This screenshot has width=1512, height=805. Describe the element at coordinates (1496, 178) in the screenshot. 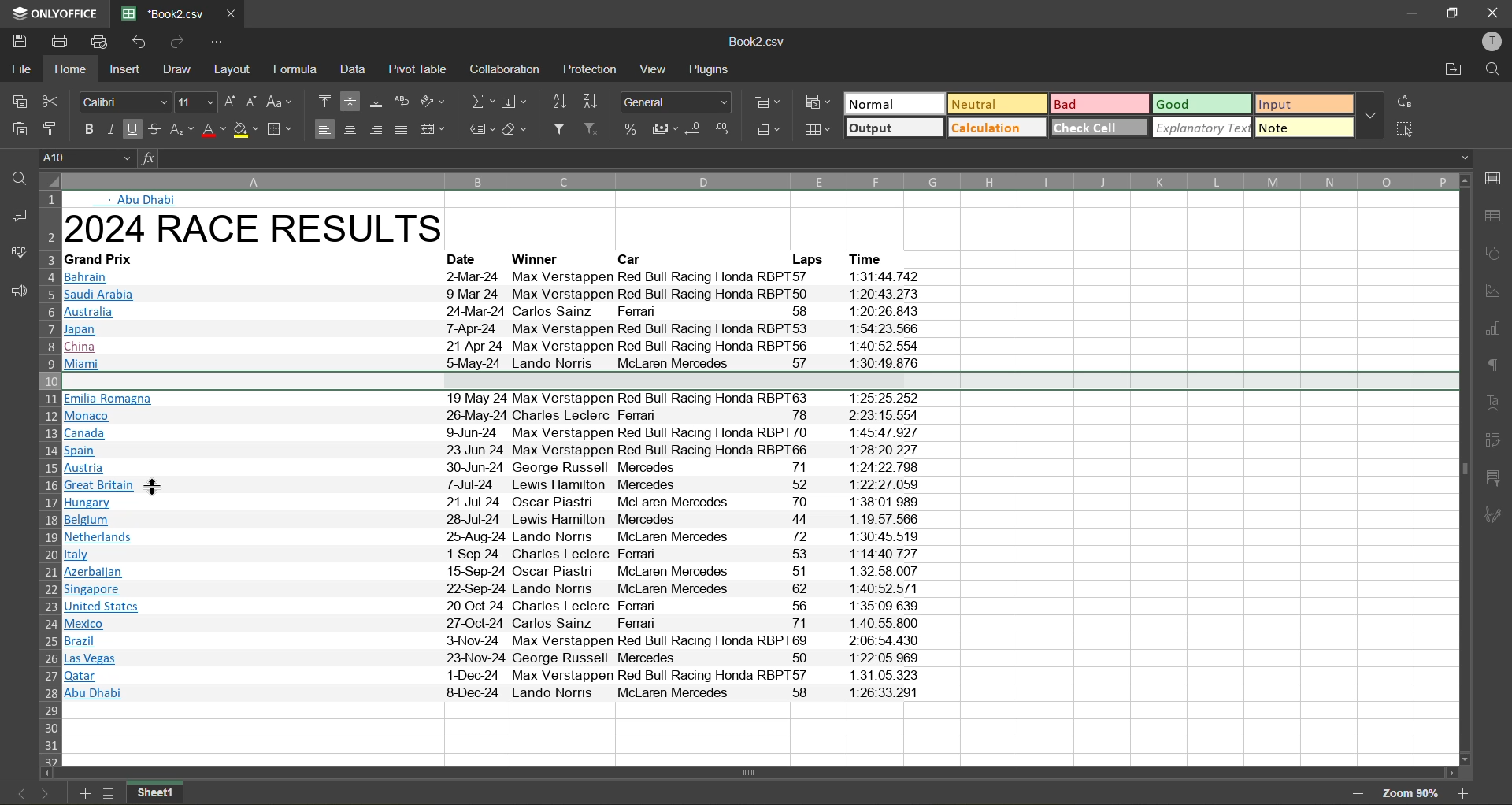

I see `call settings` at that location.